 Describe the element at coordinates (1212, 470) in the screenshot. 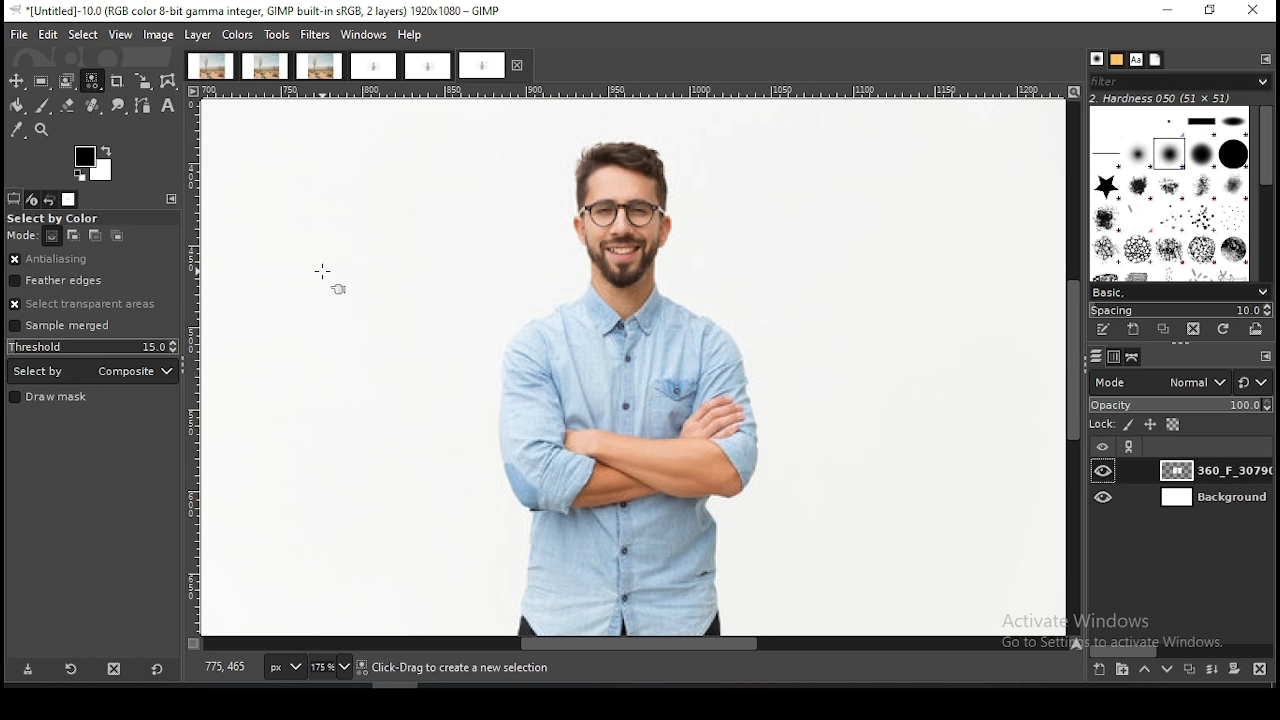

I see `layer` at that location.